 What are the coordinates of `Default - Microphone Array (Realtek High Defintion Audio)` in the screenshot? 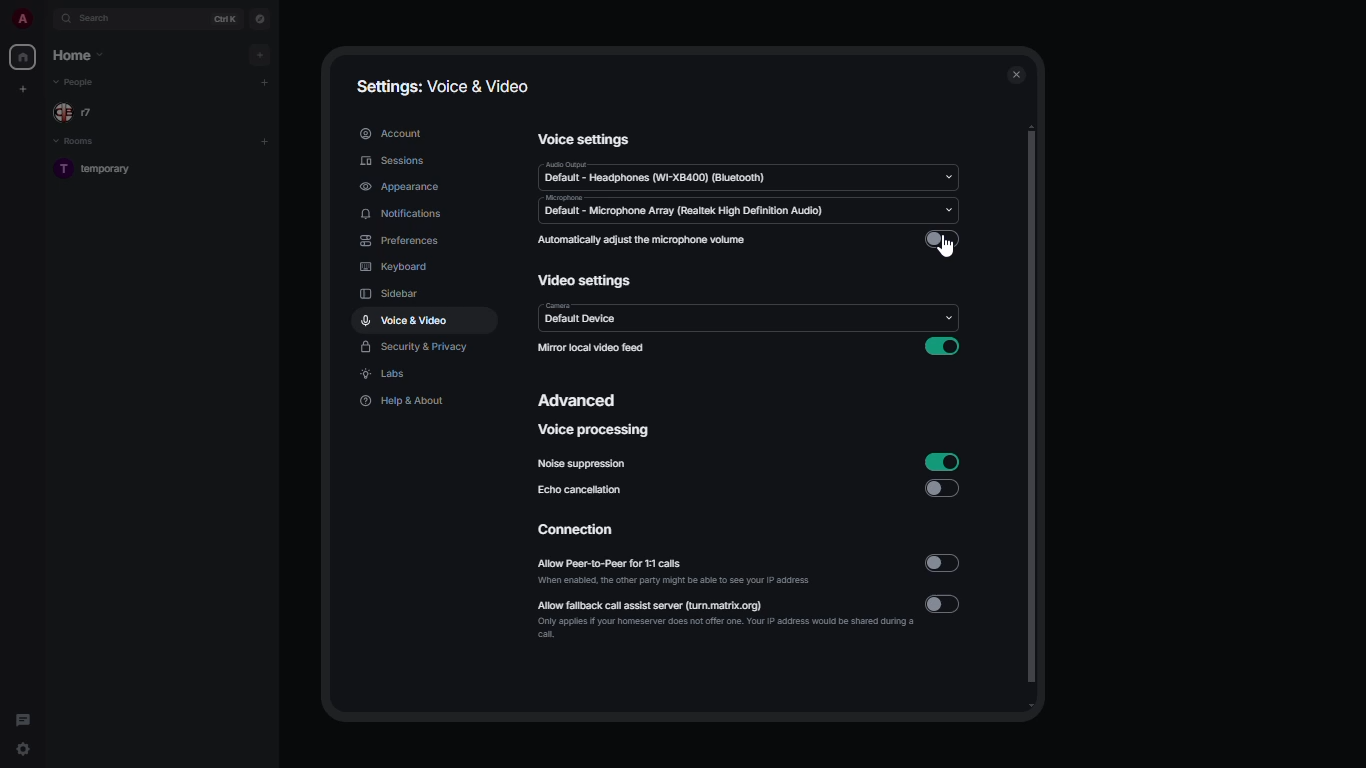 It's located at (714, 209).